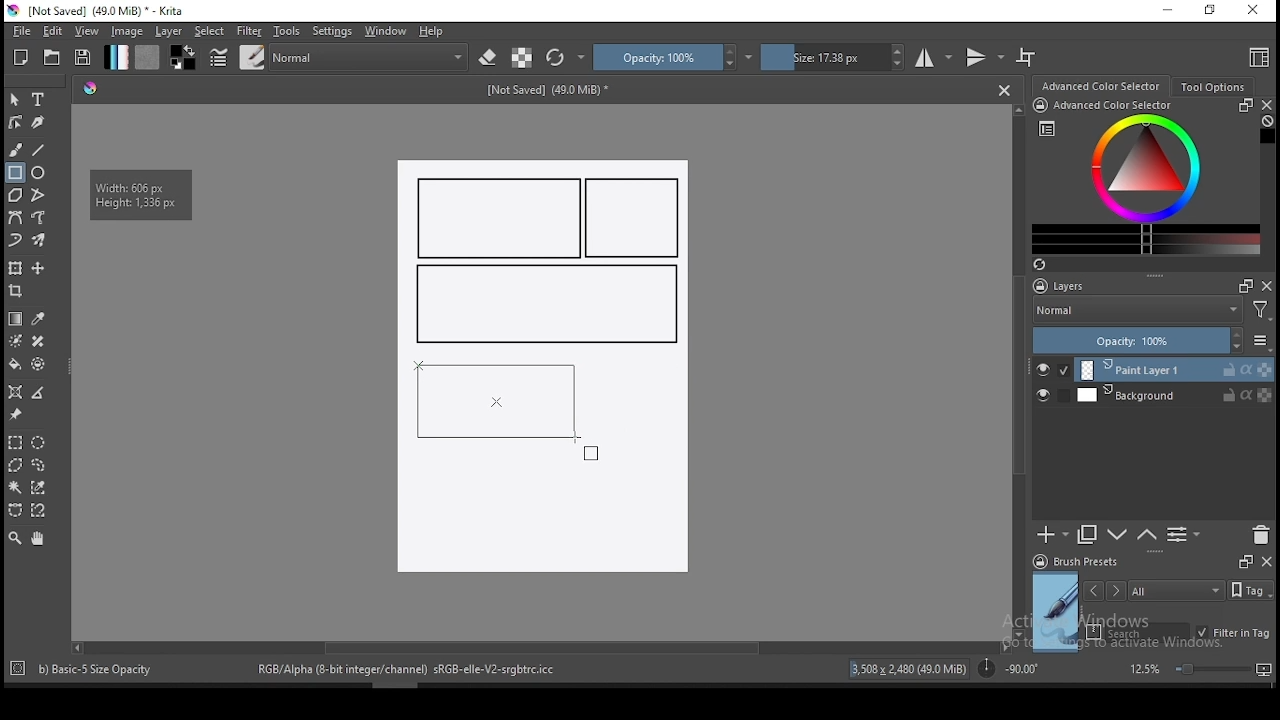 Image resolution: width=1280 pixels, height=720 pixels. Describe the element at coordinates (14, 442) in the screenshot. I see `rectangular selection tool` at that location.